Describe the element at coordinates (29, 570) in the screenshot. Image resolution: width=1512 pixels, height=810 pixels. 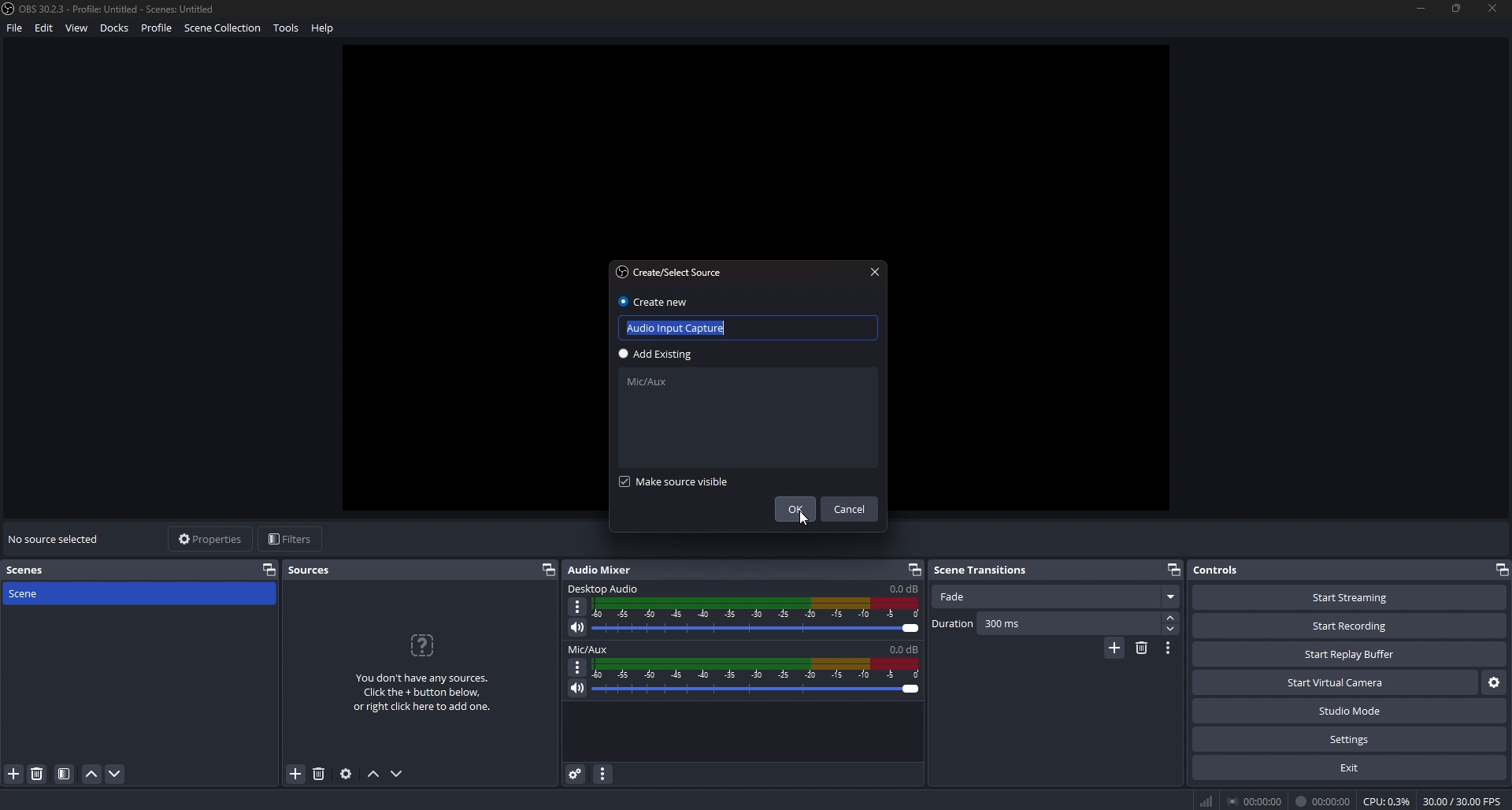
I see `scenes` at that location.